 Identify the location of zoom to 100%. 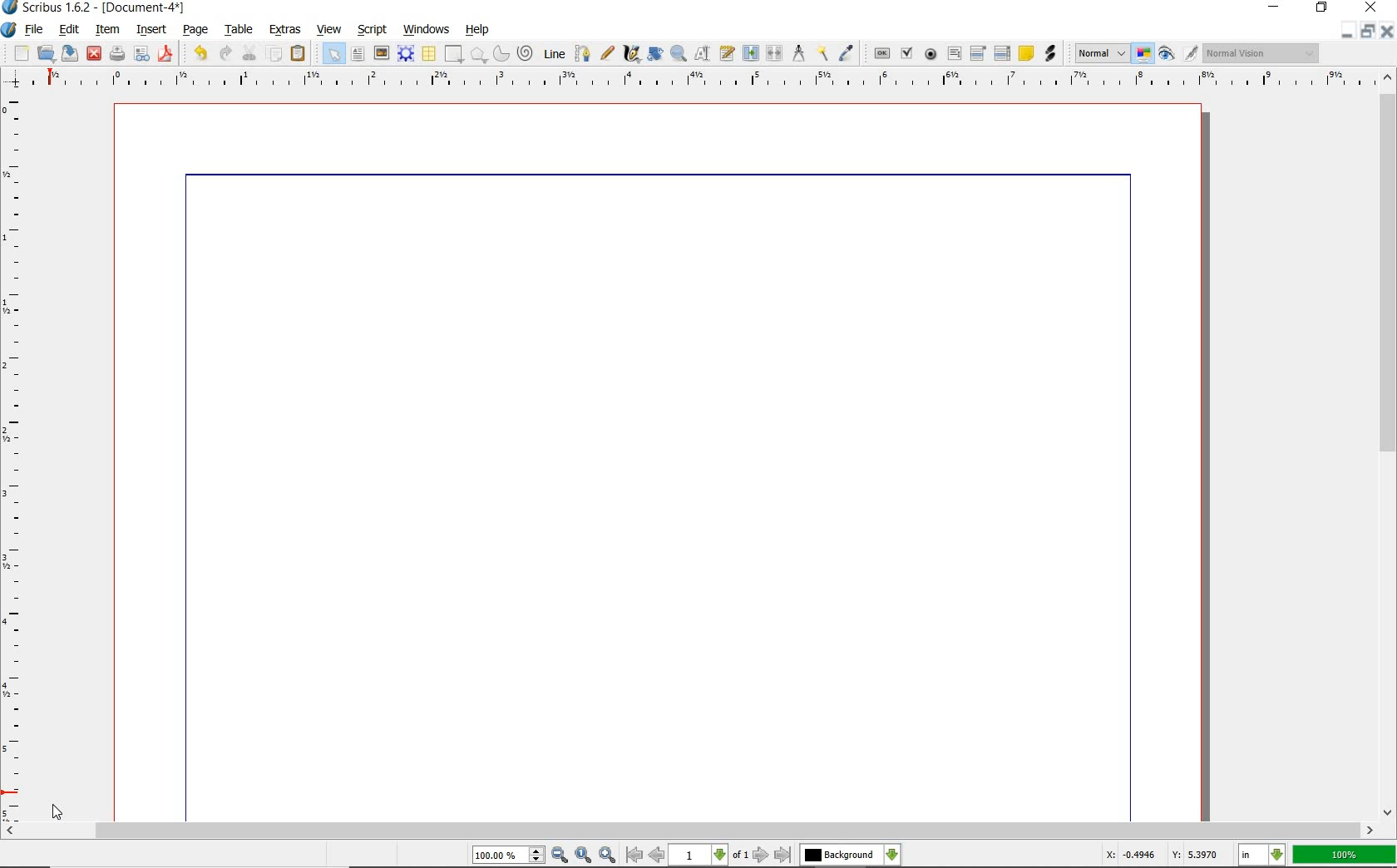
(585, 856).